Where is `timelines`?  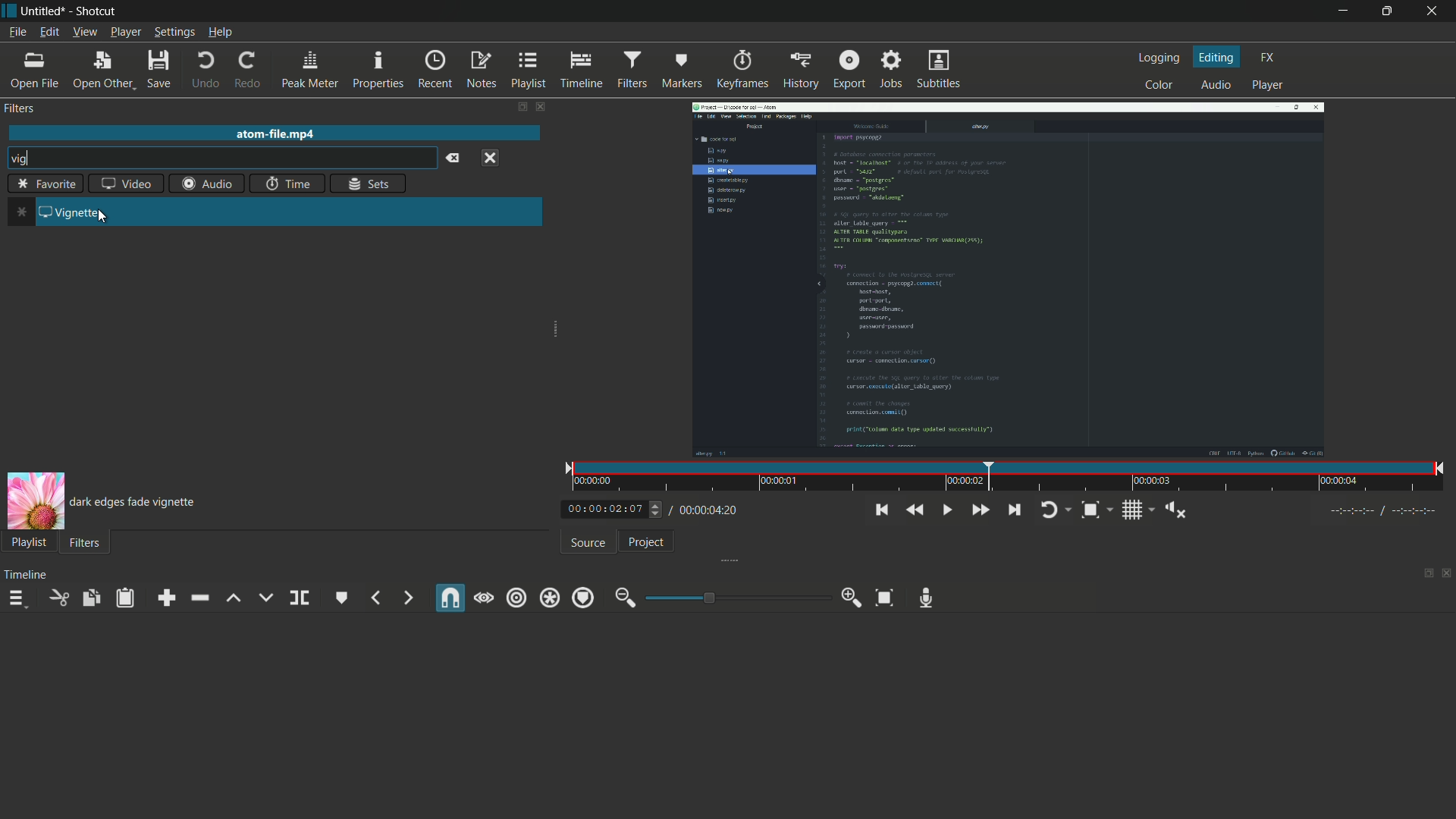 timelines is located at coordinates (581, 71).